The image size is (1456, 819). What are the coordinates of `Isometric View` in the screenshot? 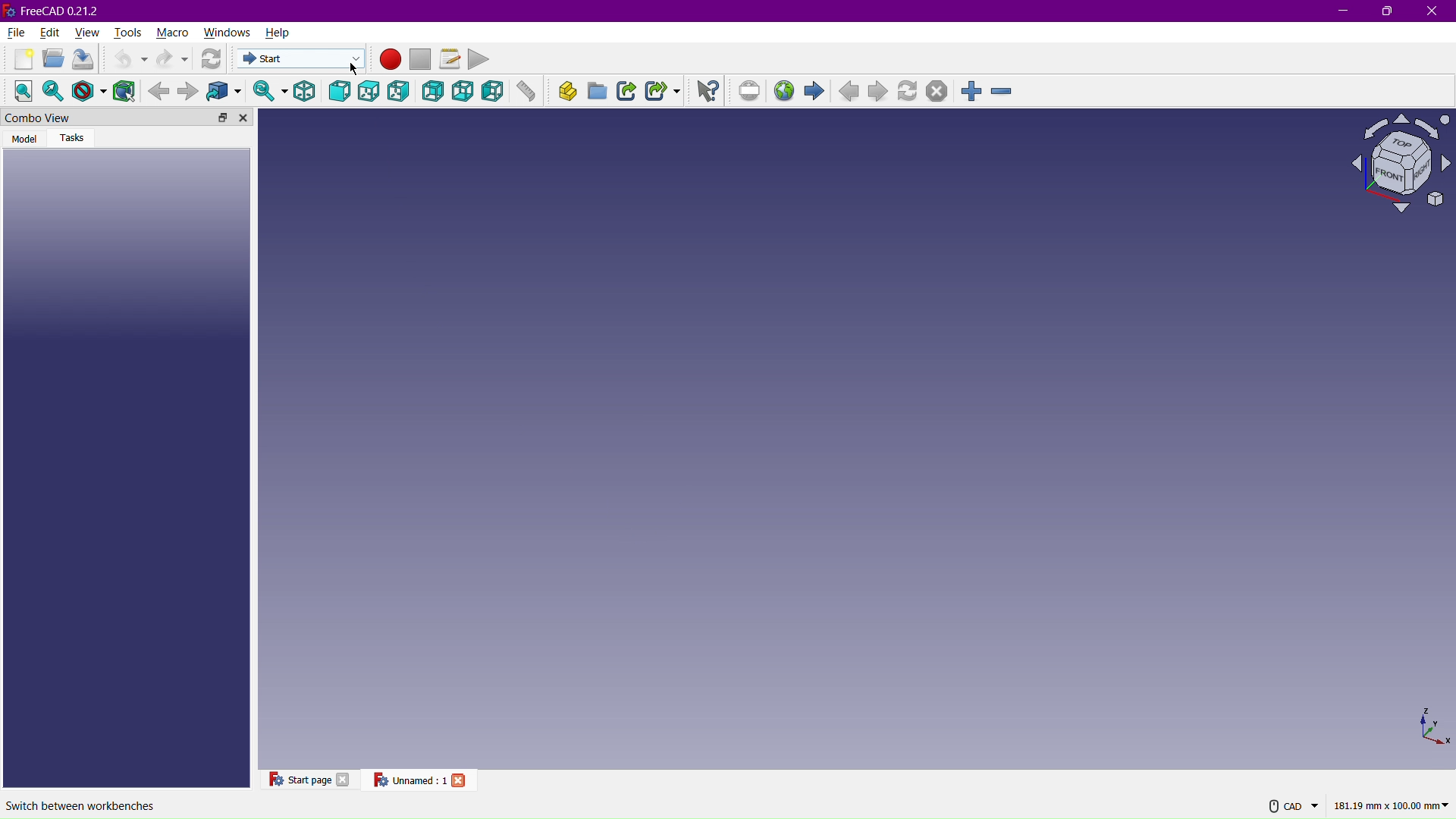 It's located at (1403, 162).